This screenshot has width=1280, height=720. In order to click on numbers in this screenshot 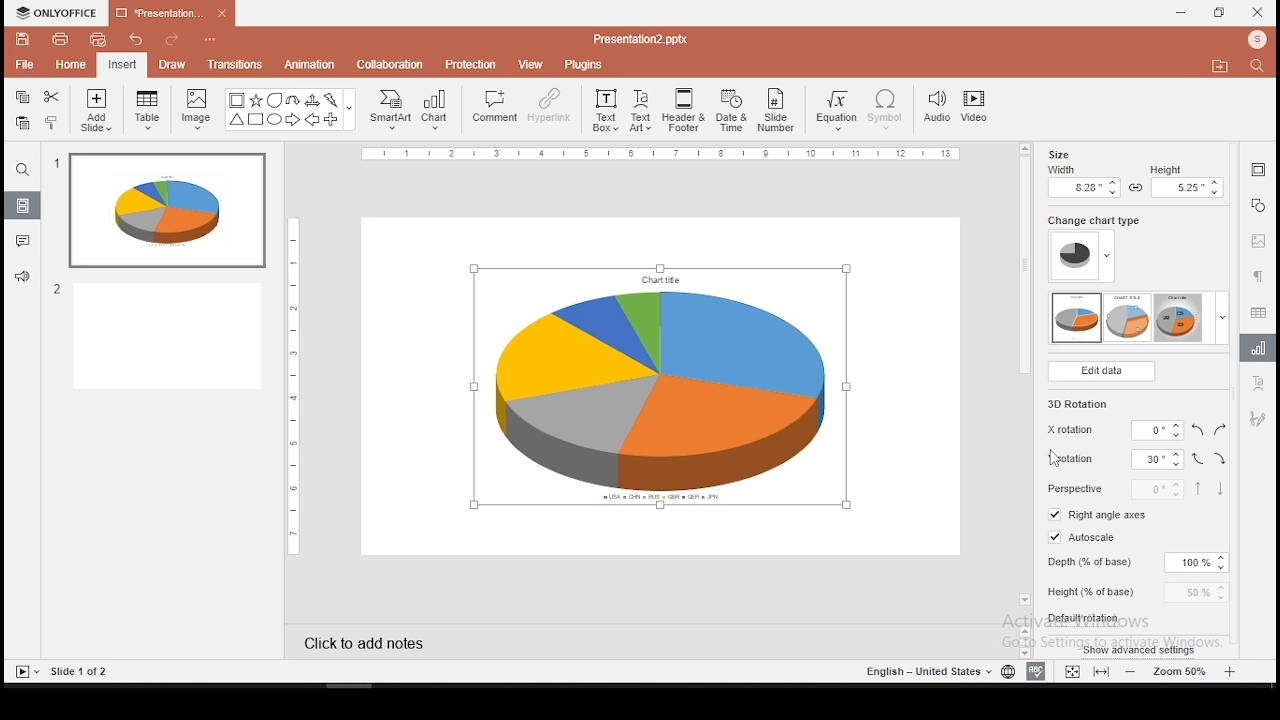, I will do `click(59, 229)`.